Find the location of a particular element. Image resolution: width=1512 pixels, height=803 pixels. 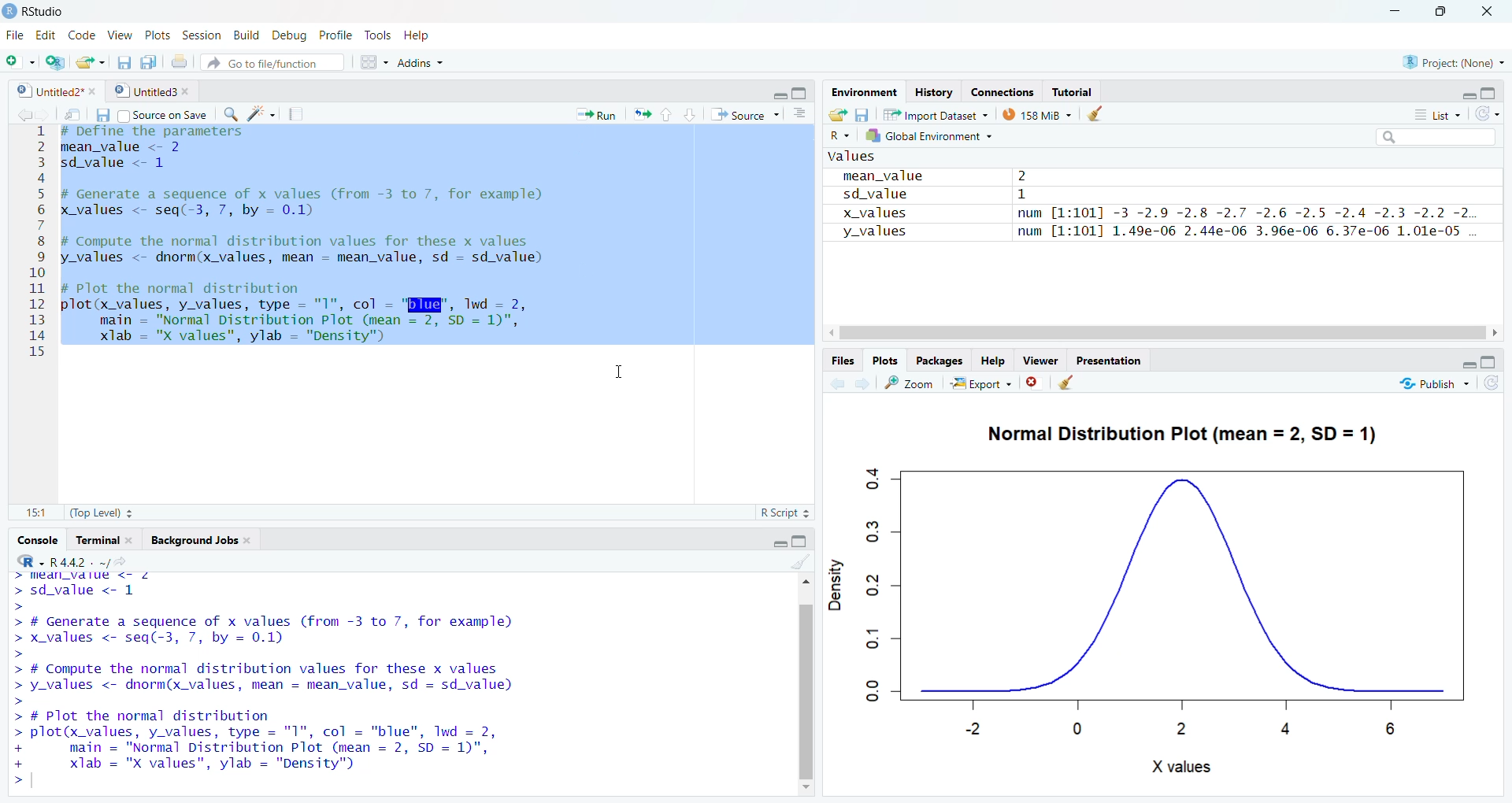

11 is located at coordinates (30, 509).